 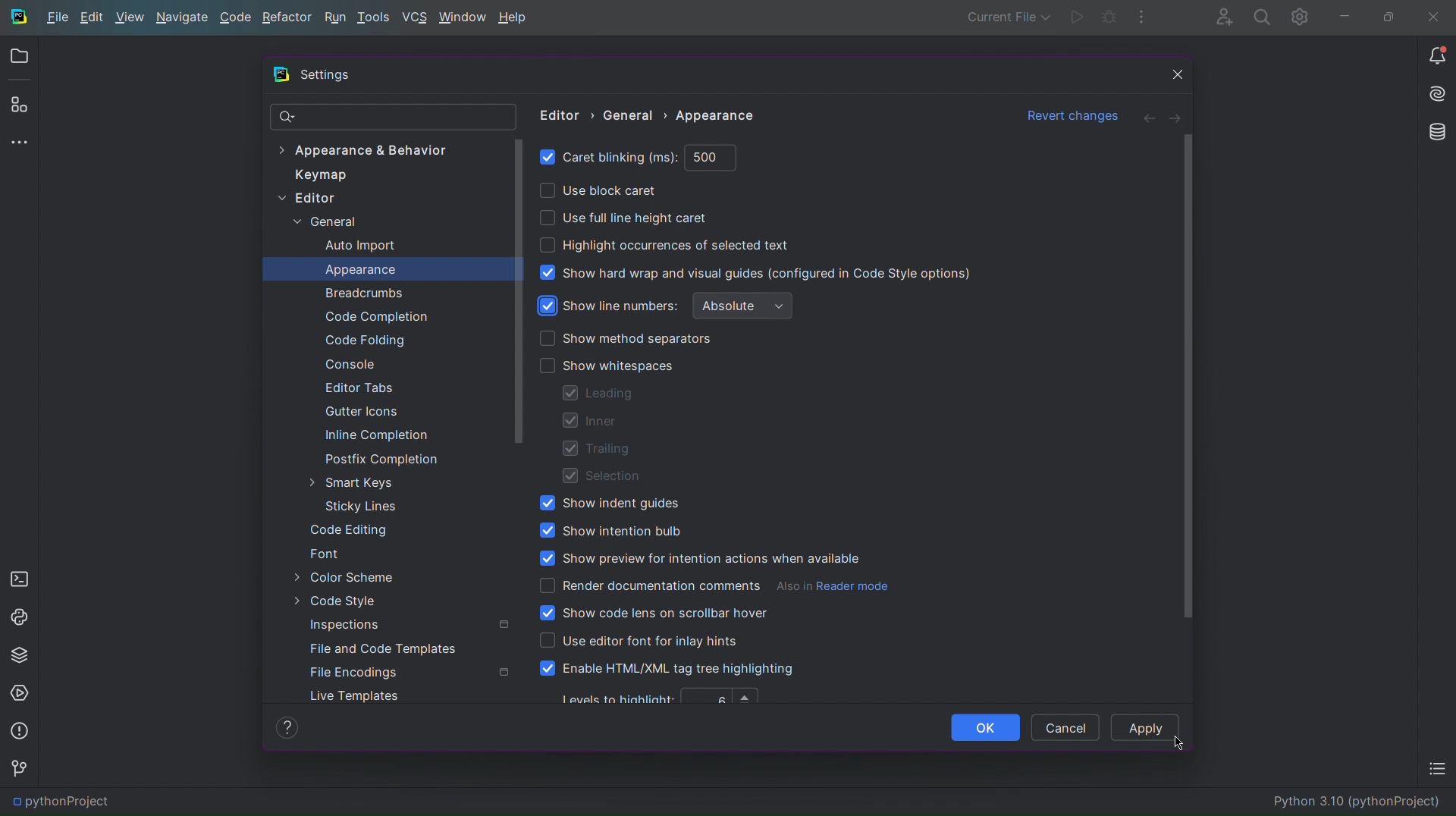 What do you see at coordinates (654, 614) in the screenshot?
I see `Show code lens on scrollbar hover` at bounding box center [654, 614].